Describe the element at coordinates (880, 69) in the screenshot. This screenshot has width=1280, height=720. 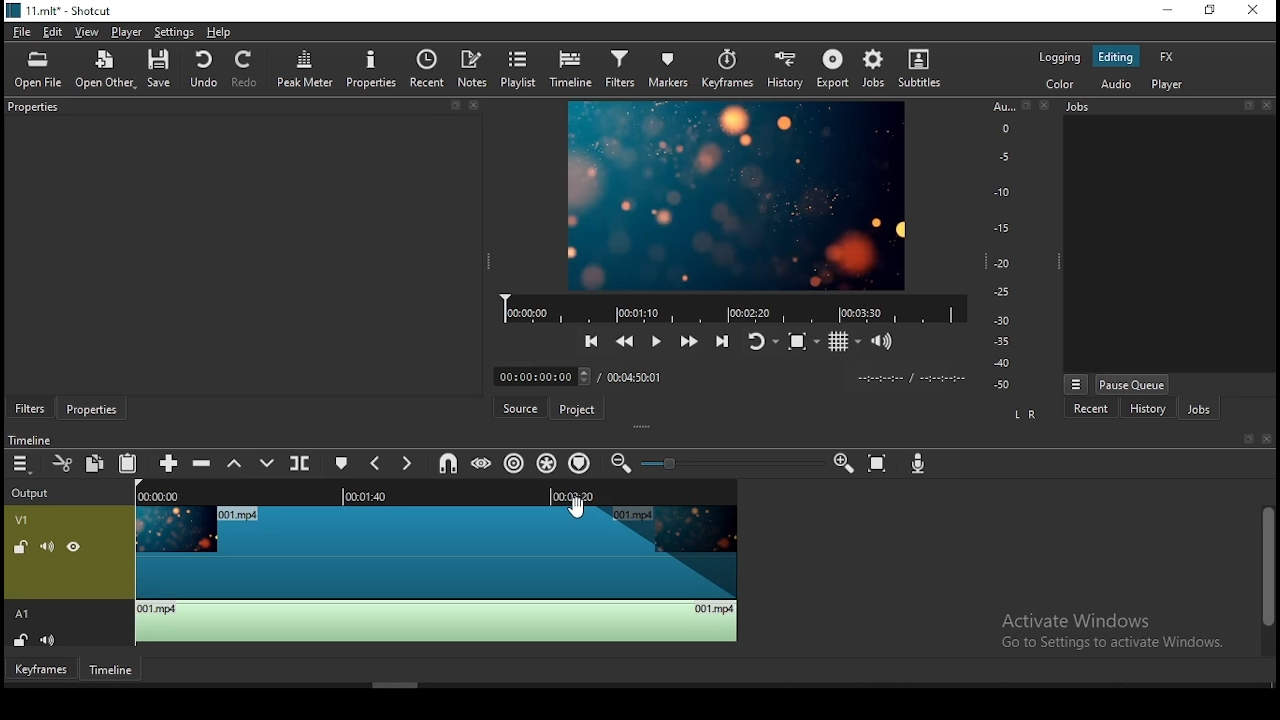
I see `jobs` at that location.